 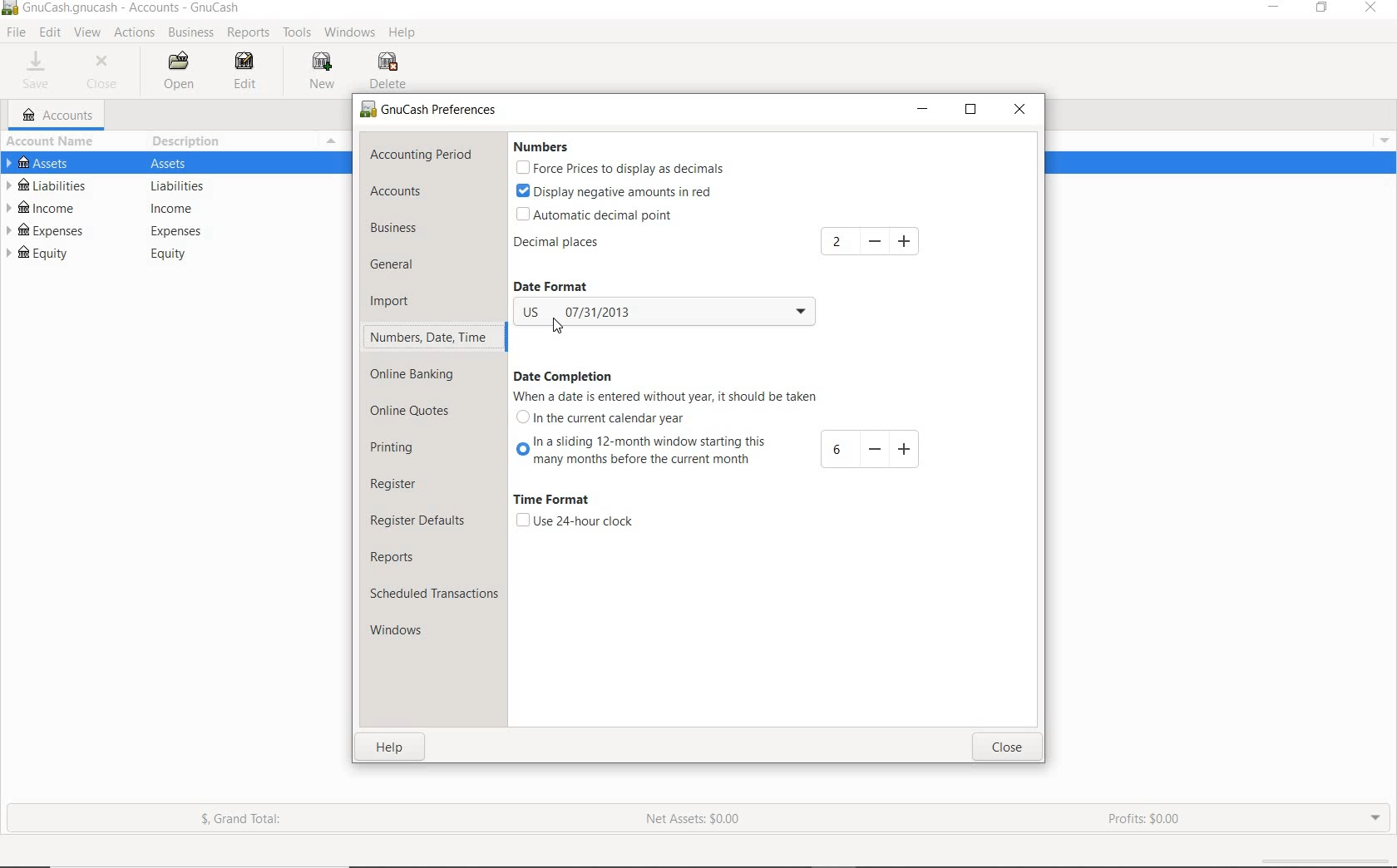 What do you see at coordinates (180, 72) in the screenshot?
I see `OPEN` at bounding box center [180, 72].